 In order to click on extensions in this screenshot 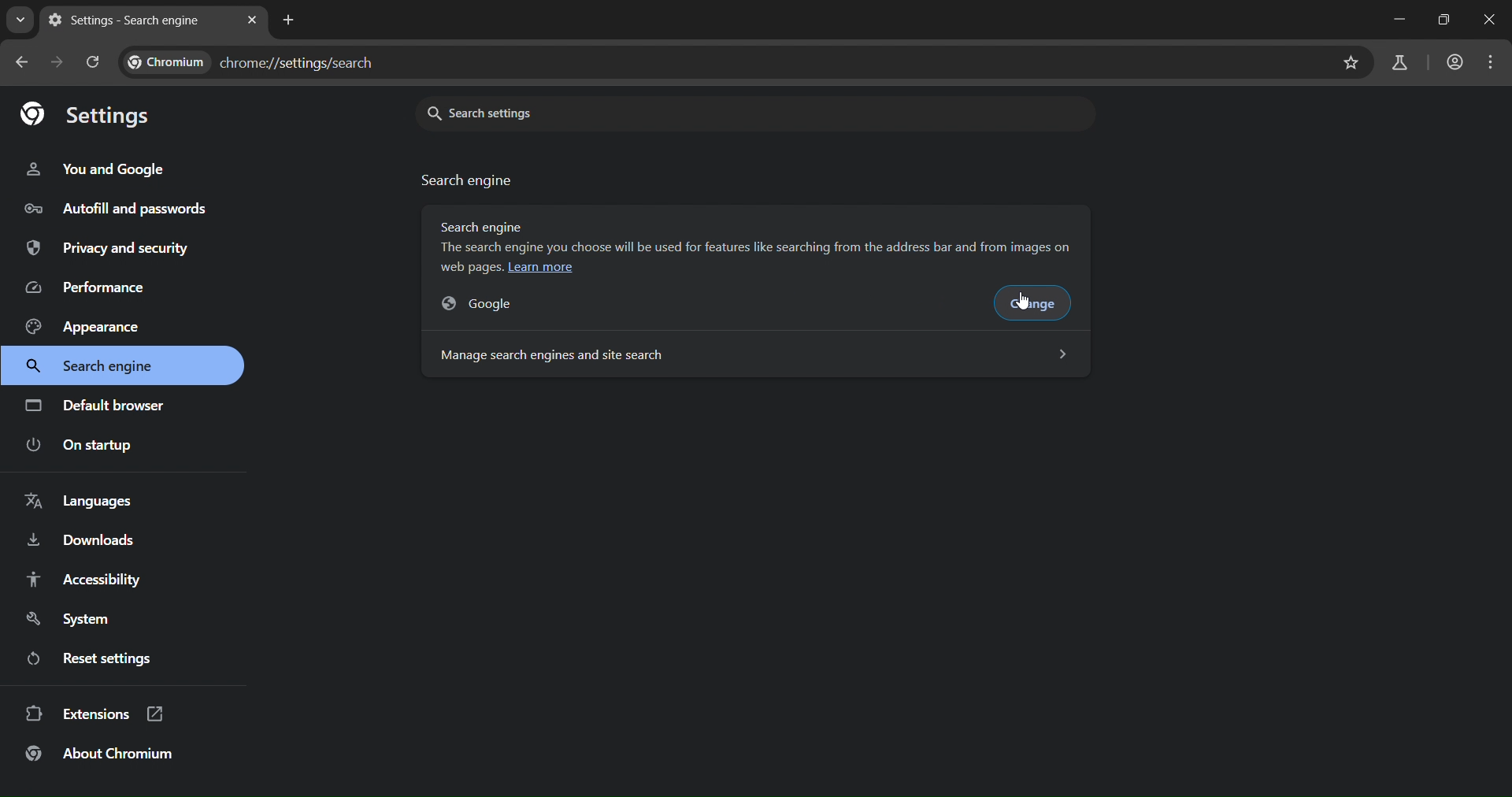, I will do `click(94, 716)`.